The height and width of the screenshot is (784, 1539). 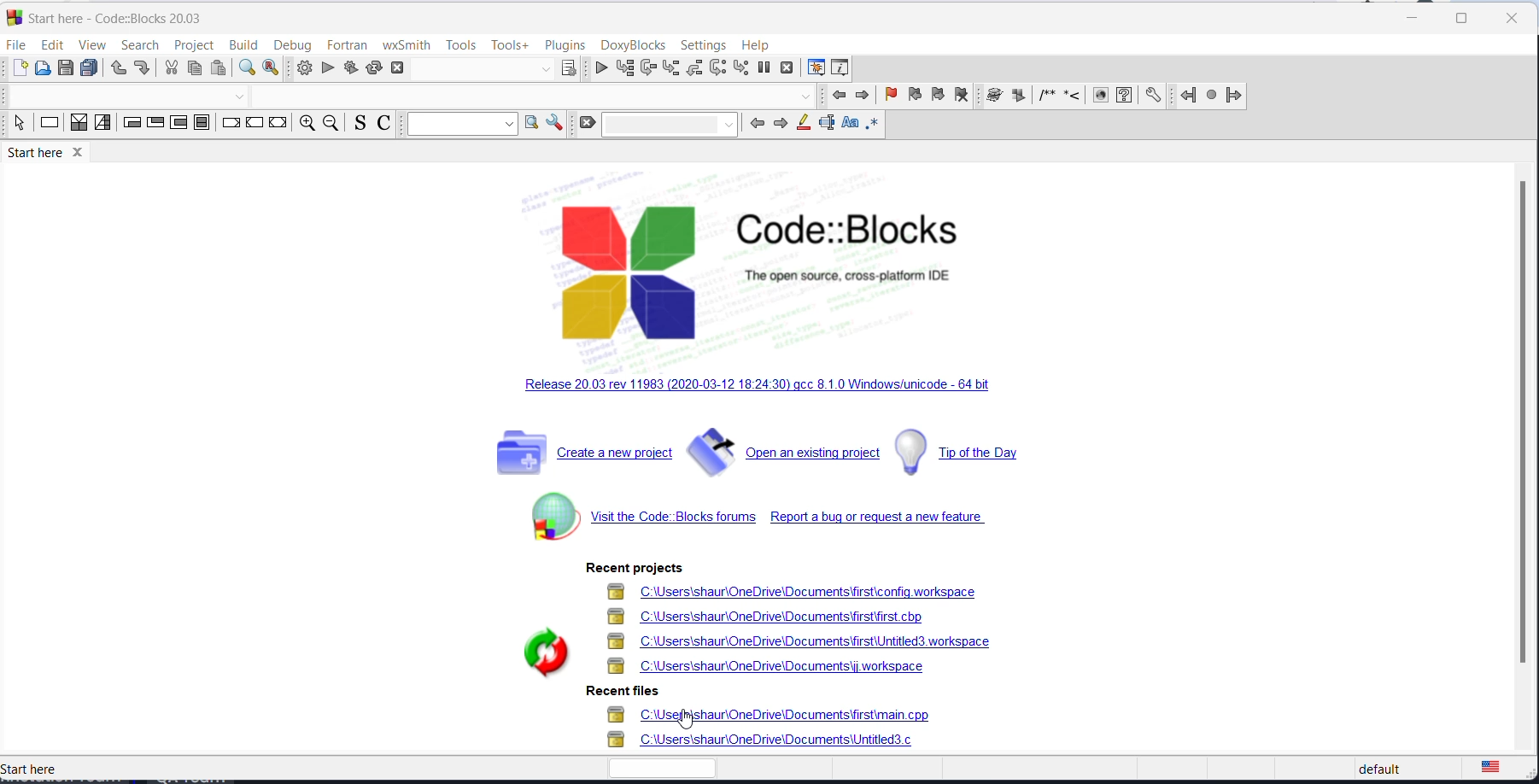 What do you see at coordinates (139, 44) in the screenshot?
I see `search` at bounding box center [139, 44].